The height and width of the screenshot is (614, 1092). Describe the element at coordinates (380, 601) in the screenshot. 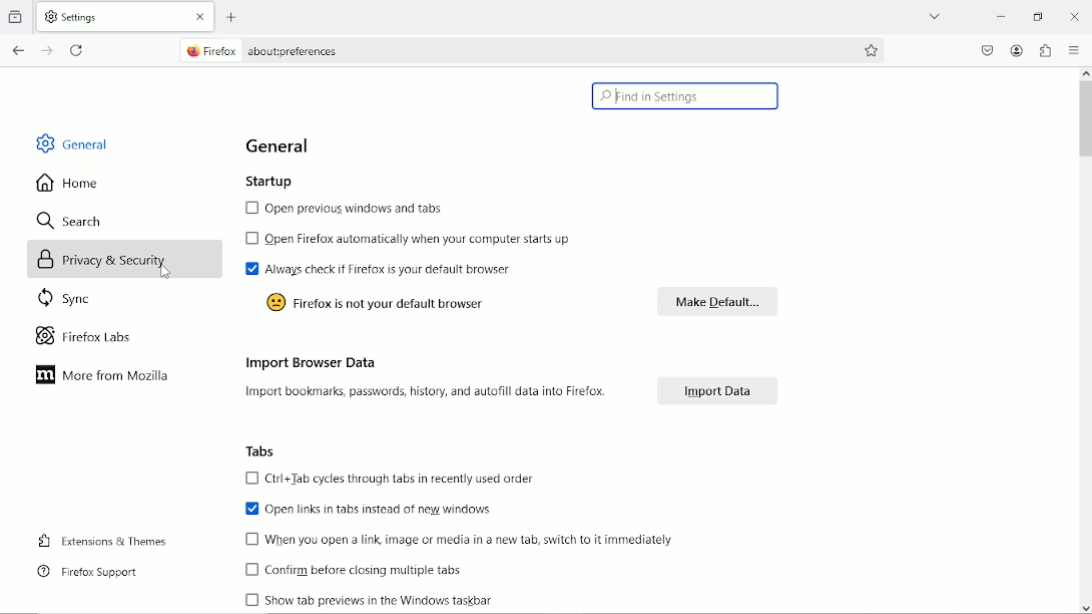

I see `text` at that location.